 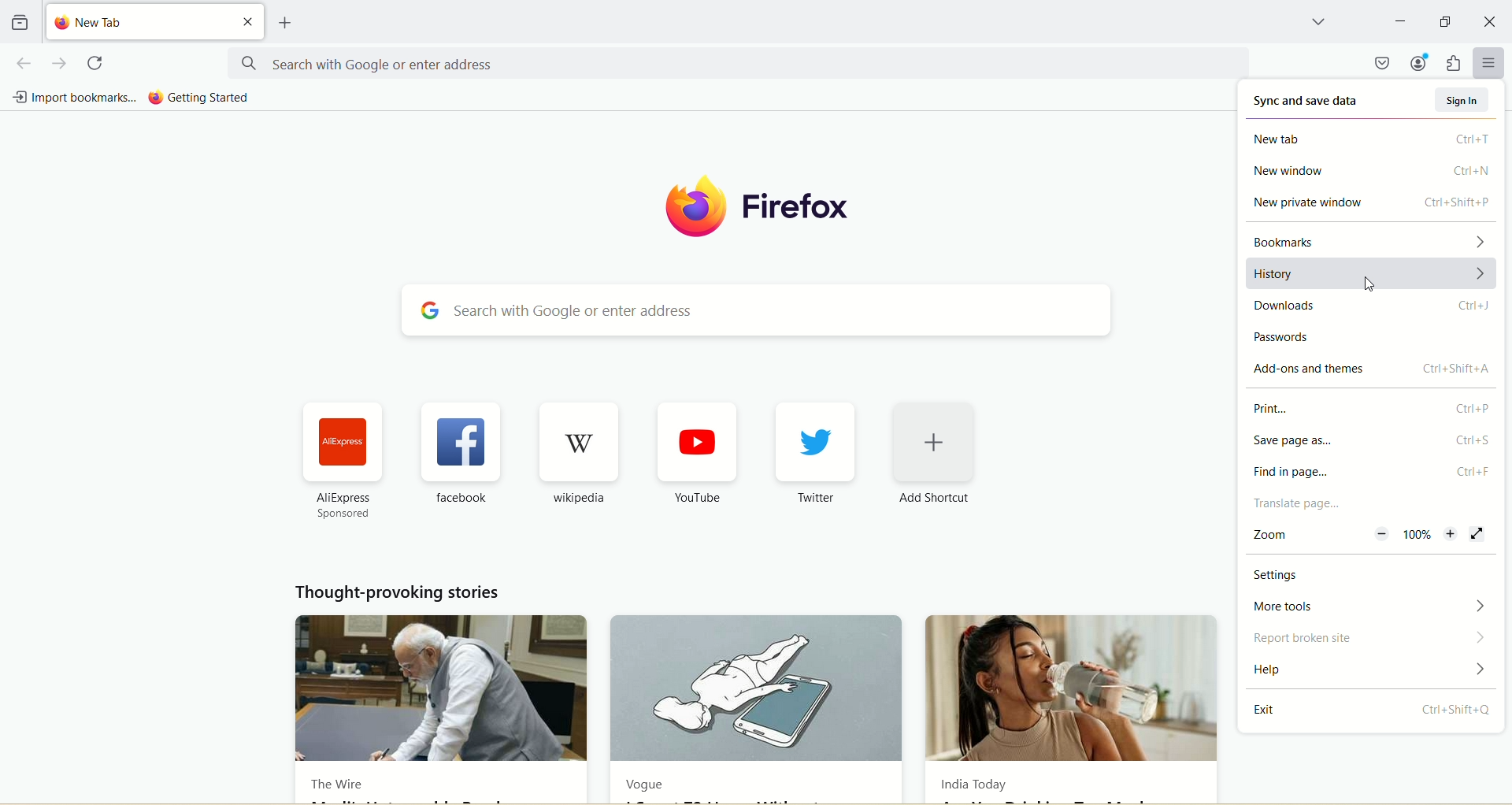 I want to click on The Wire, so click(x=336, y=787).